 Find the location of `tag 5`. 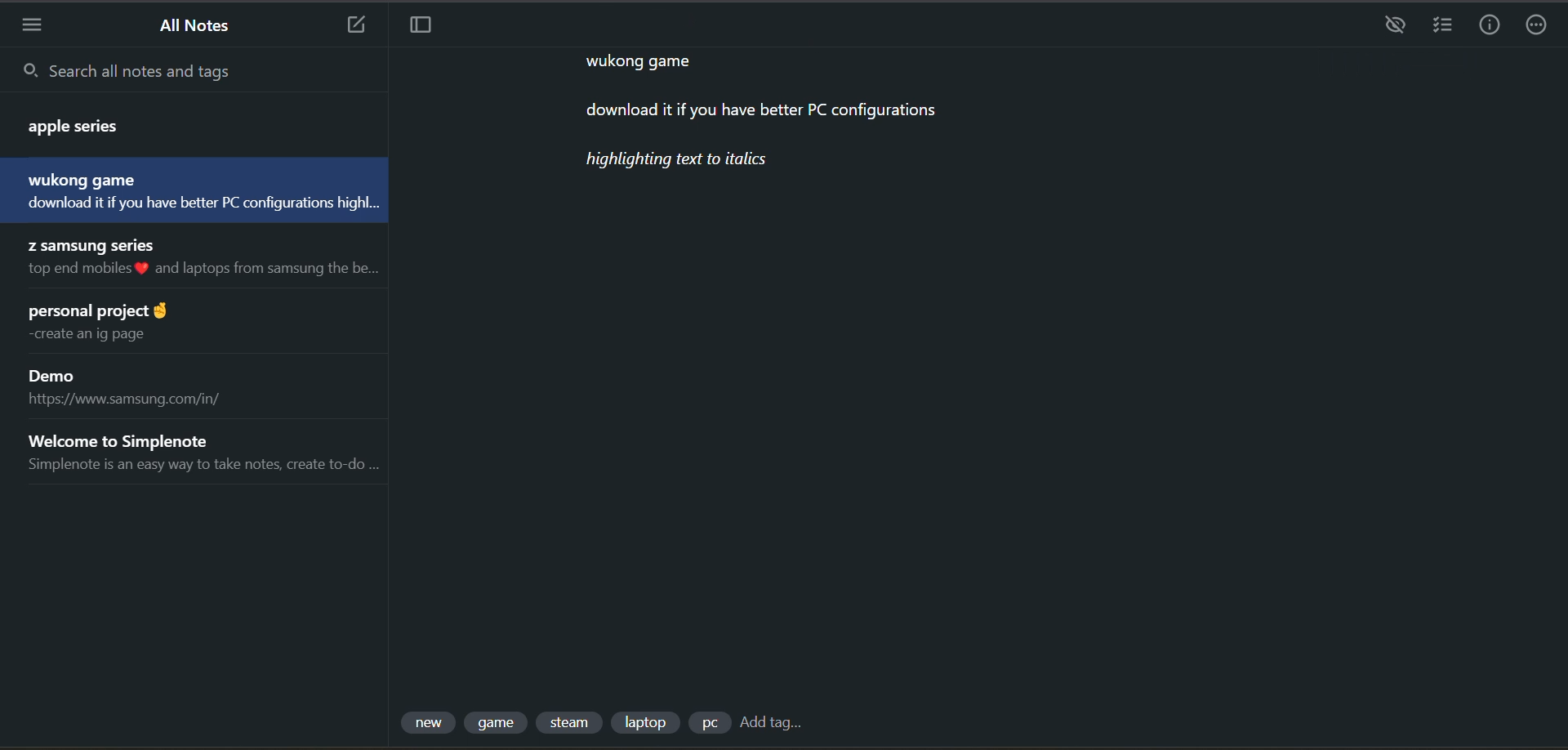

tag 5 is located at coordinates (708, 723).